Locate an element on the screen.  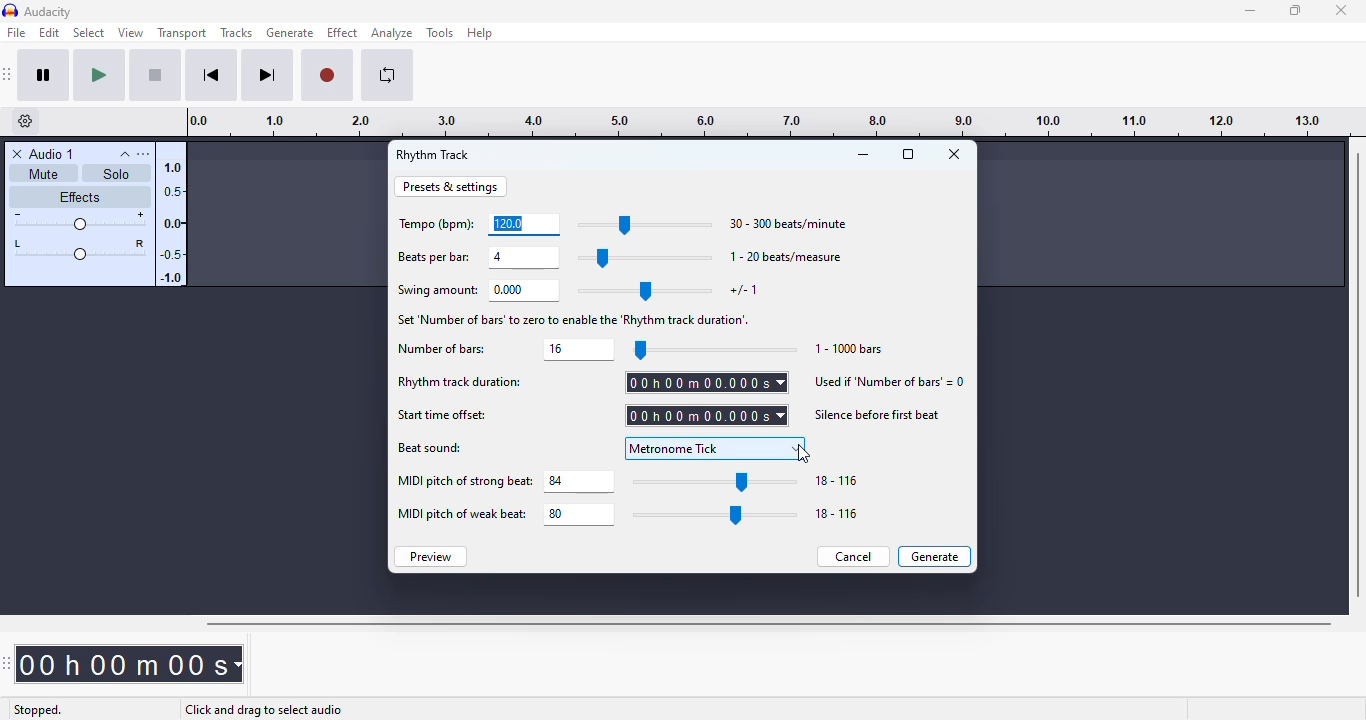
beats per bar is located at coordinates (435, 257).